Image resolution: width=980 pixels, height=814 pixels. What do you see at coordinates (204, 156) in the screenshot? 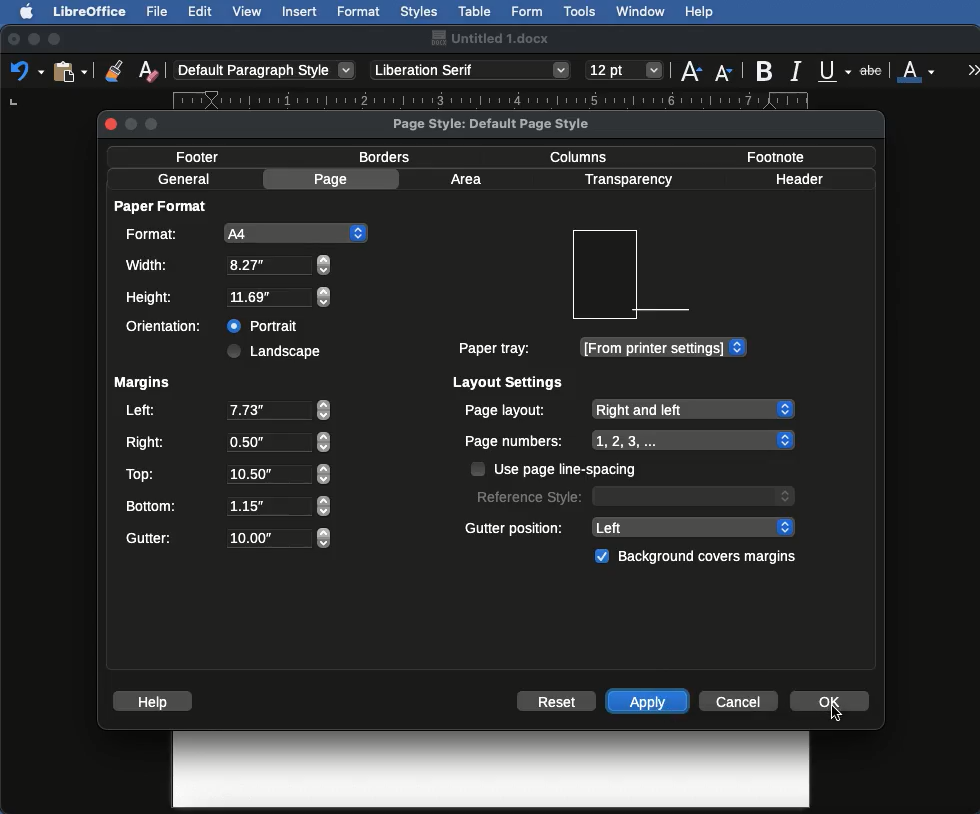
I see `Footer` at bounding box center [204, 156].